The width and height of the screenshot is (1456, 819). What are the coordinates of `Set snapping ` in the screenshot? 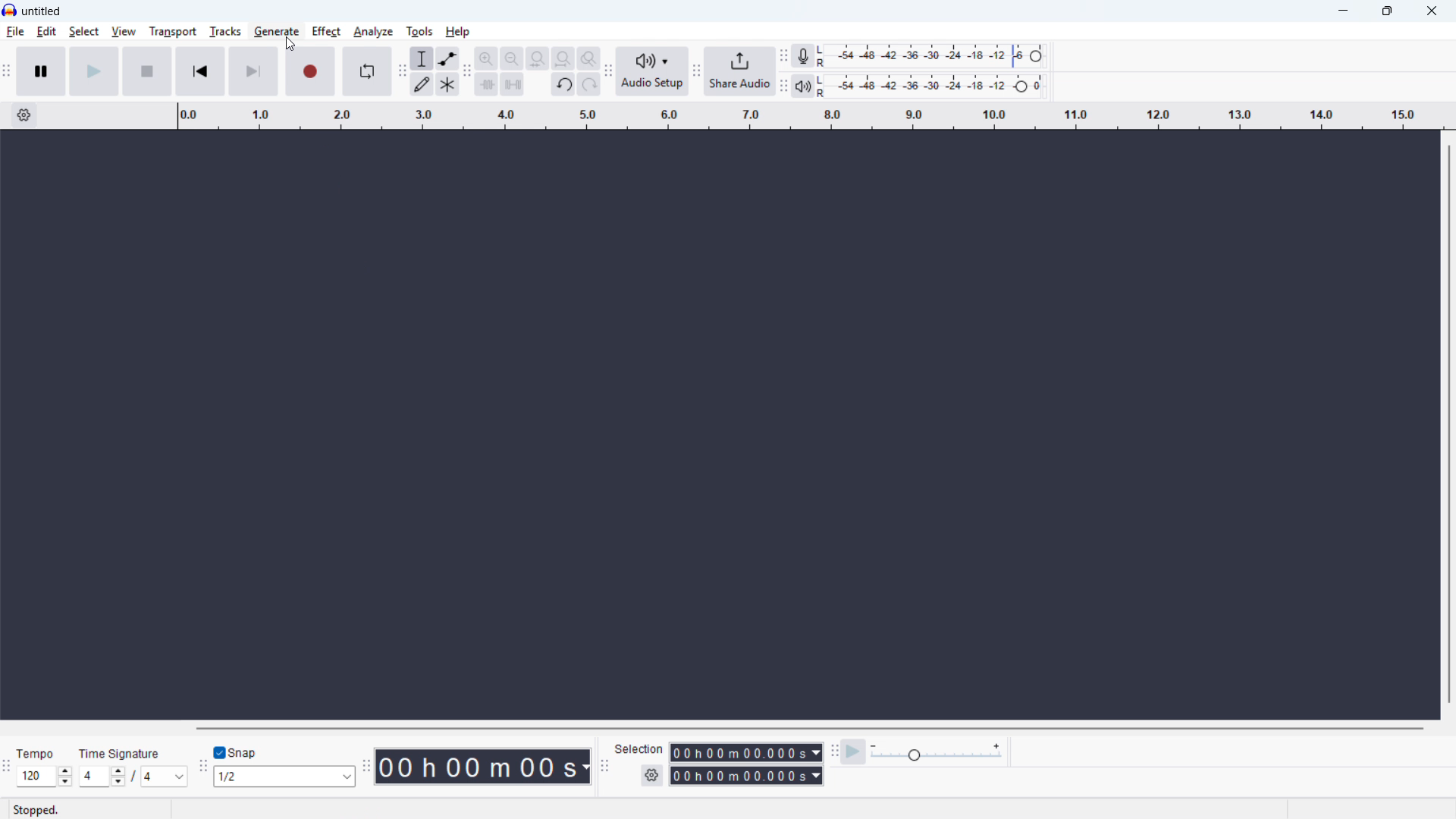 It's located at (284, 777).